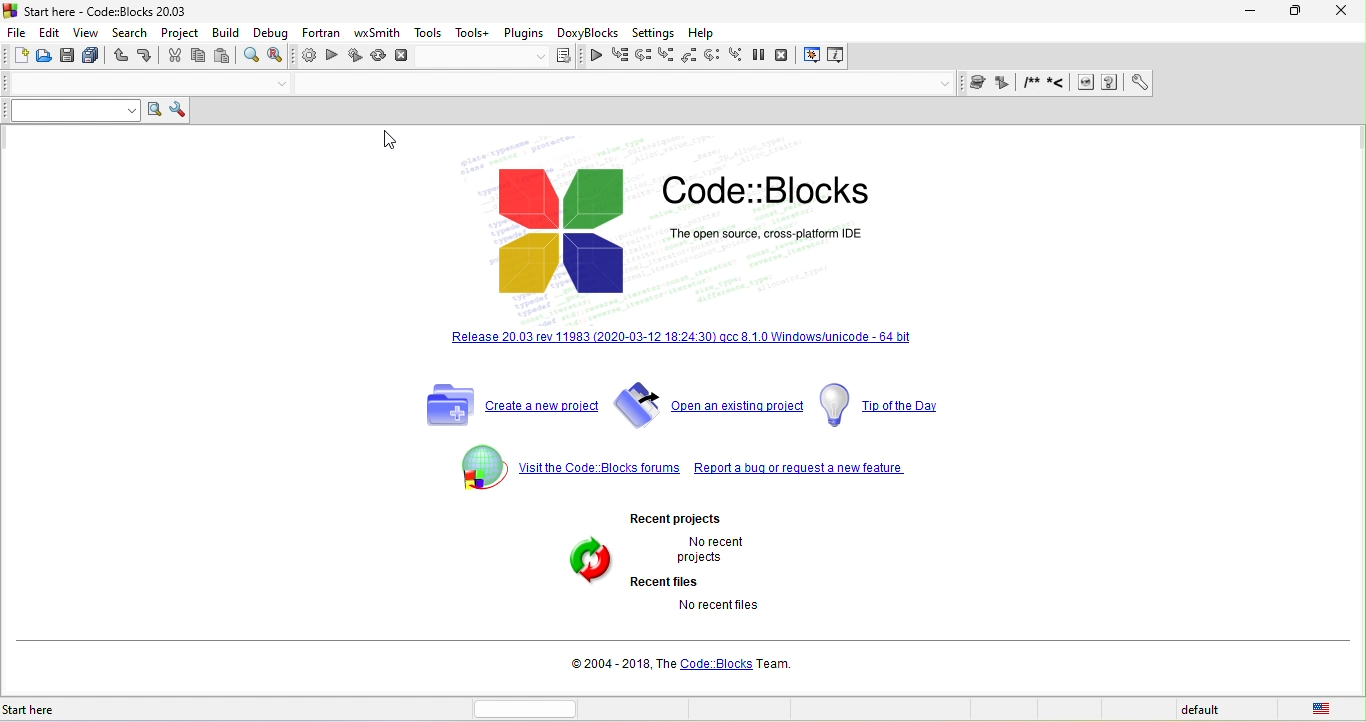 This screenshot has width=1366, height=722. I want to click on release 20.03 rev 11983[2020-03-12 18:24:30]qcc 8.10 , so click(687, 347).